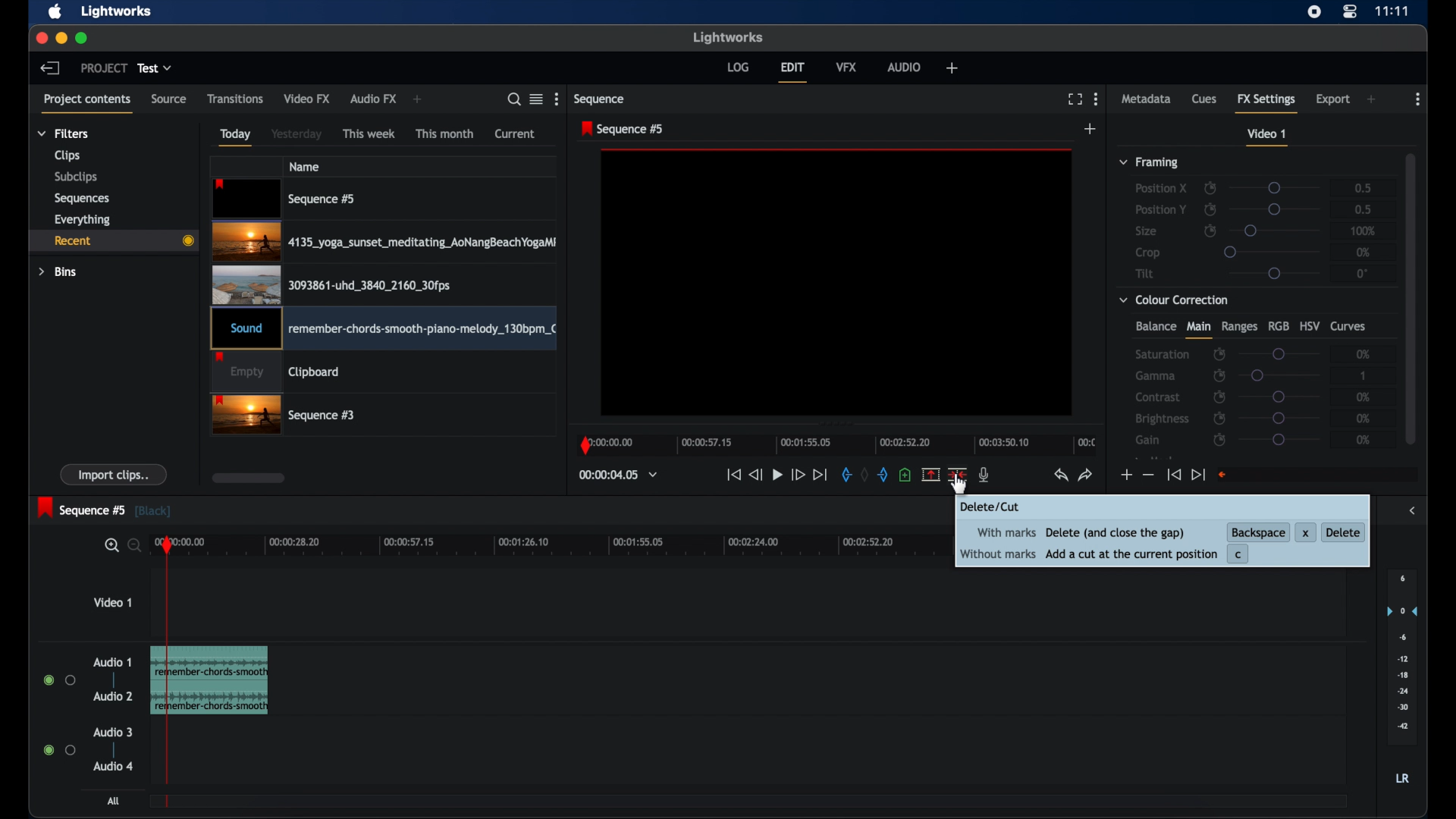  I want to click on mic, so click(984, 475).